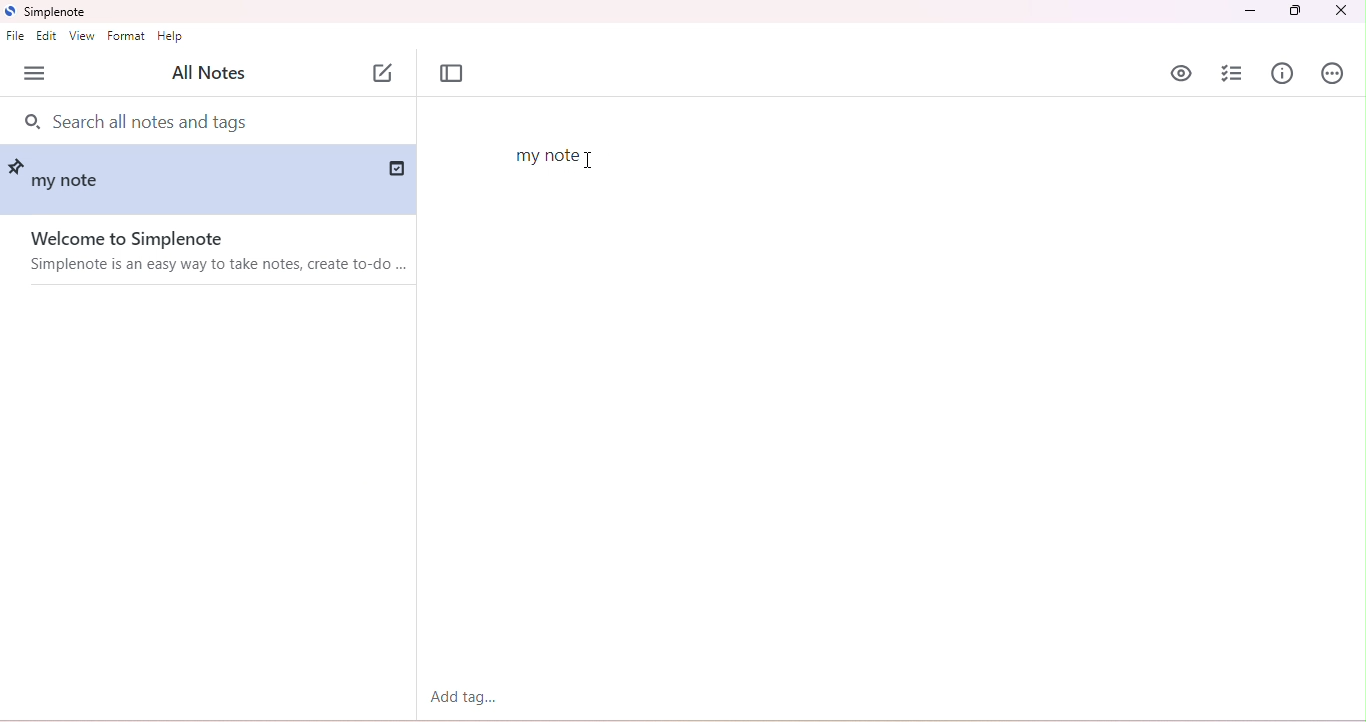  What do you see at coordinates (1283, 72) in the screenshot?
I see `info` at bounding box center [1283, 72].